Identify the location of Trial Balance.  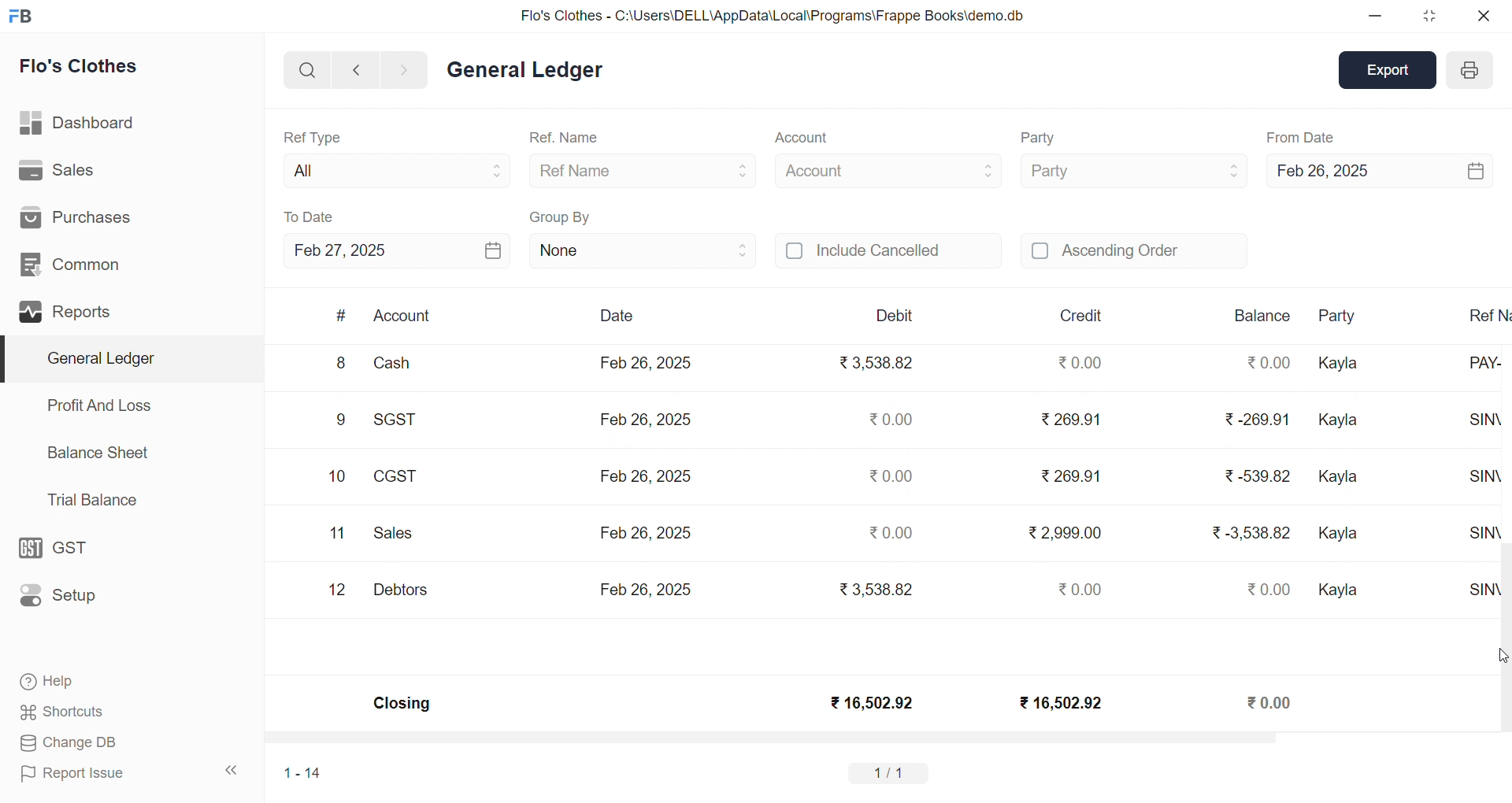
(94, 501).